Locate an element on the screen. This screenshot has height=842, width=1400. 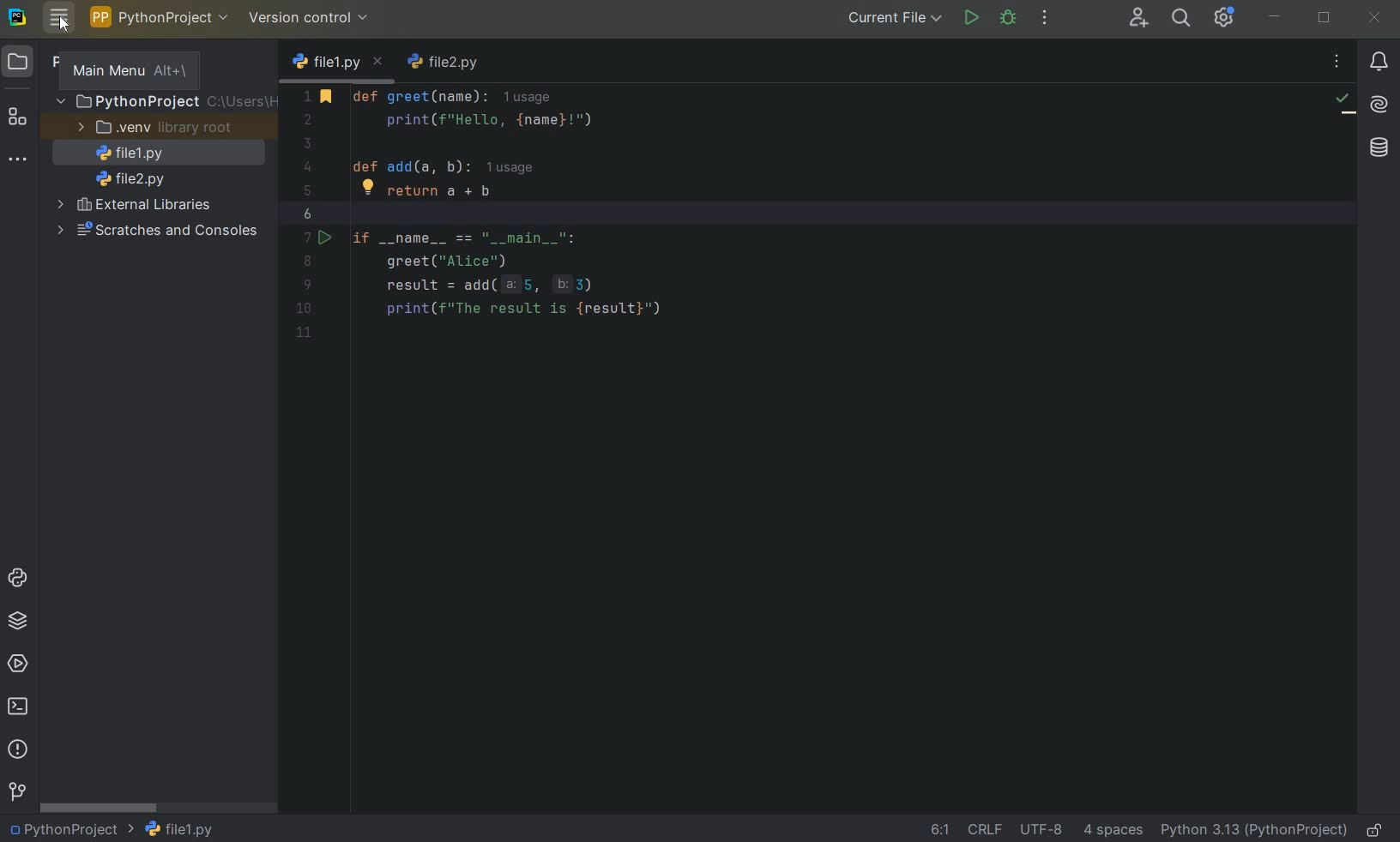
code with me is located at coordinates (1137, 20).